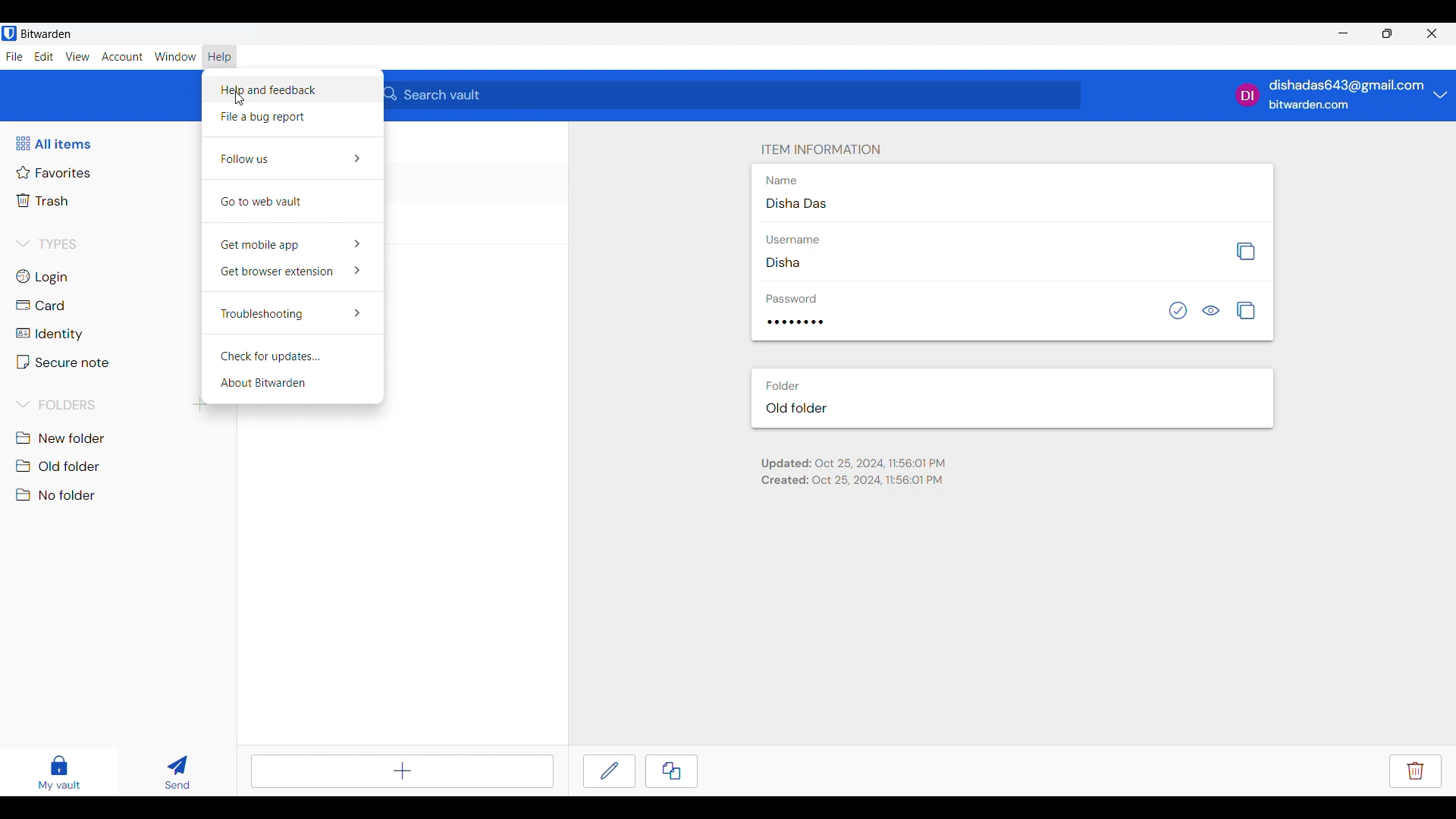  I want to click on Updated: Oct 25, 2024, 11:56:01 PM, so click(853, 464).